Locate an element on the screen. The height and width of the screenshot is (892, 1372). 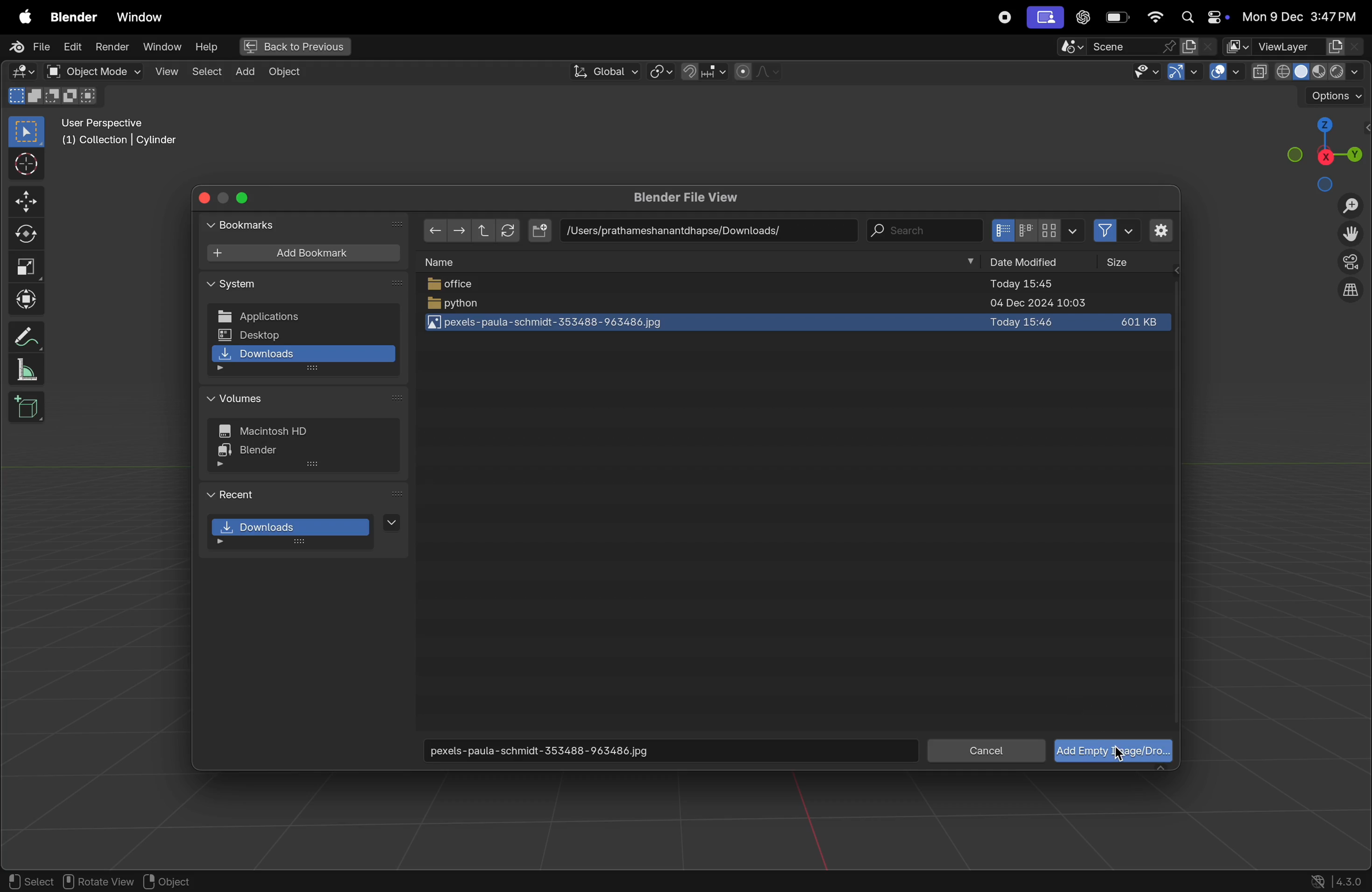
next is located at coordinates (399, 224).